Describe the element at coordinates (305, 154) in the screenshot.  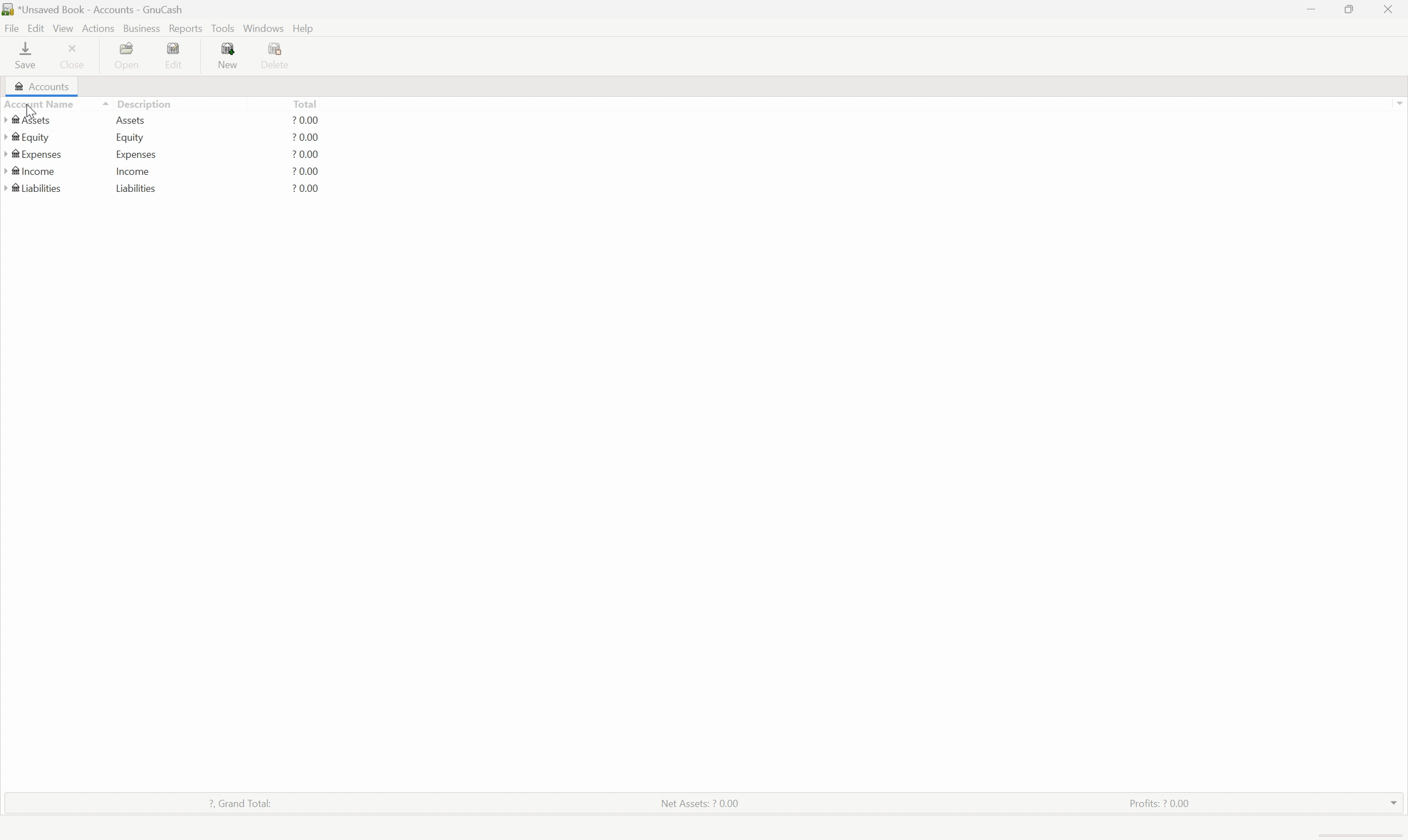
I see `? 0.00` at that location.